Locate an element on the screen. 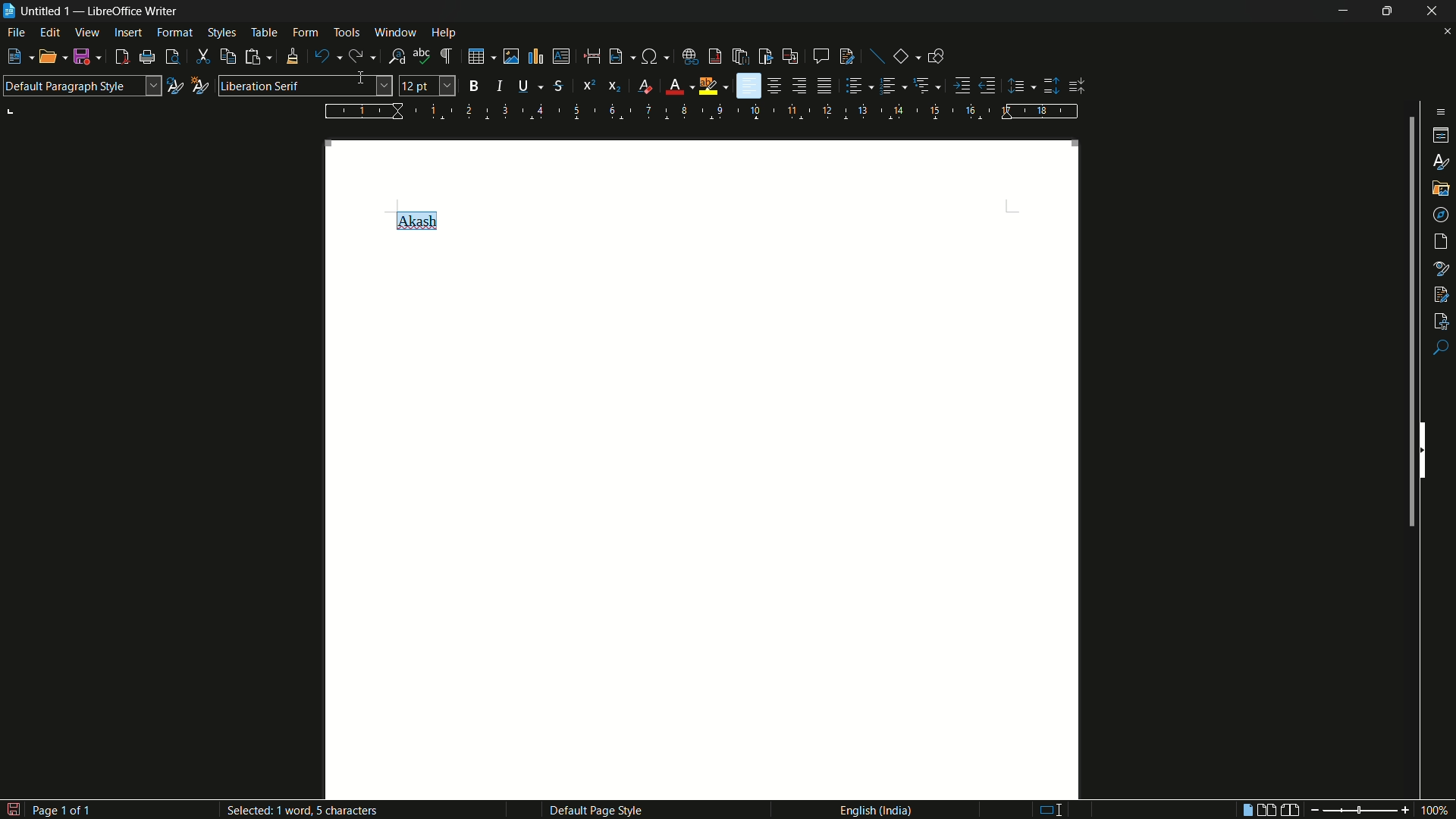 The height and width of the screenshot is (819, 1456). character highlighting color is located at coordinates (708, 86).